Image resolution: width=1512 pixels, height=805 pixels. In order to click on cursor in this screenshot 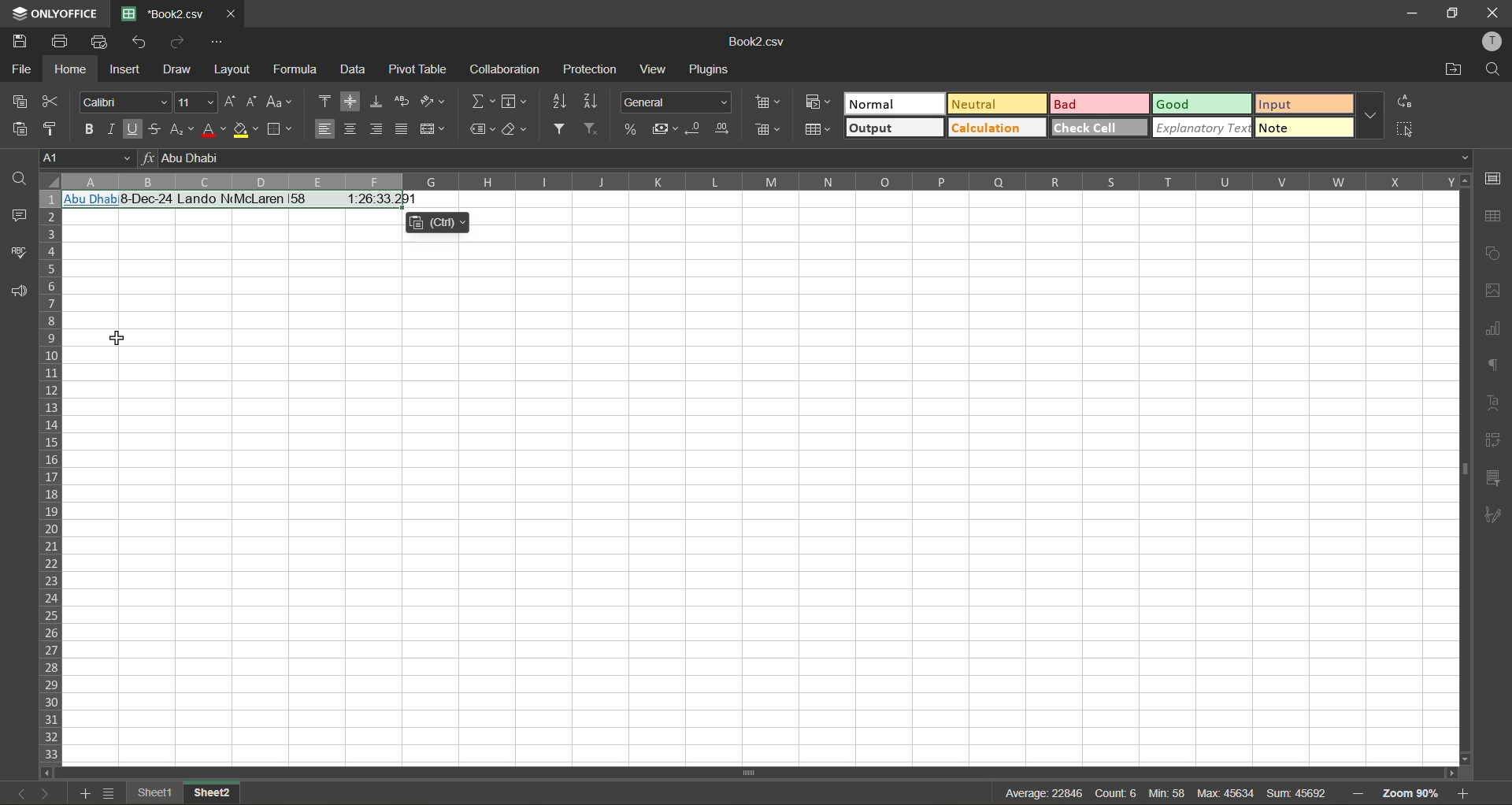, I will do `click(117, 337)`.